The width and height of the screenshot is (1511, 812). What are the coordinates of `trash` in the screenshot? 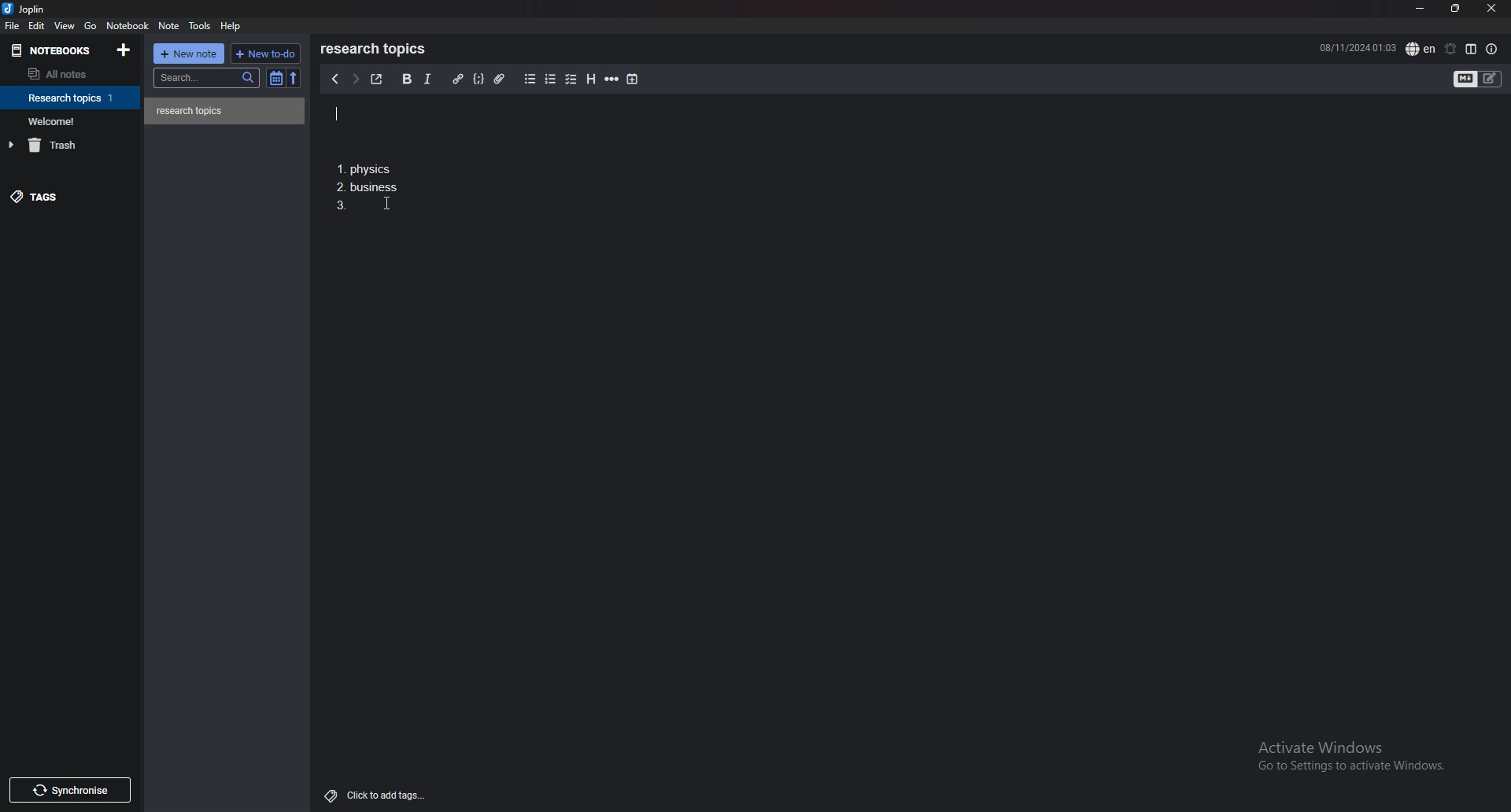 It's located at (73, 145).